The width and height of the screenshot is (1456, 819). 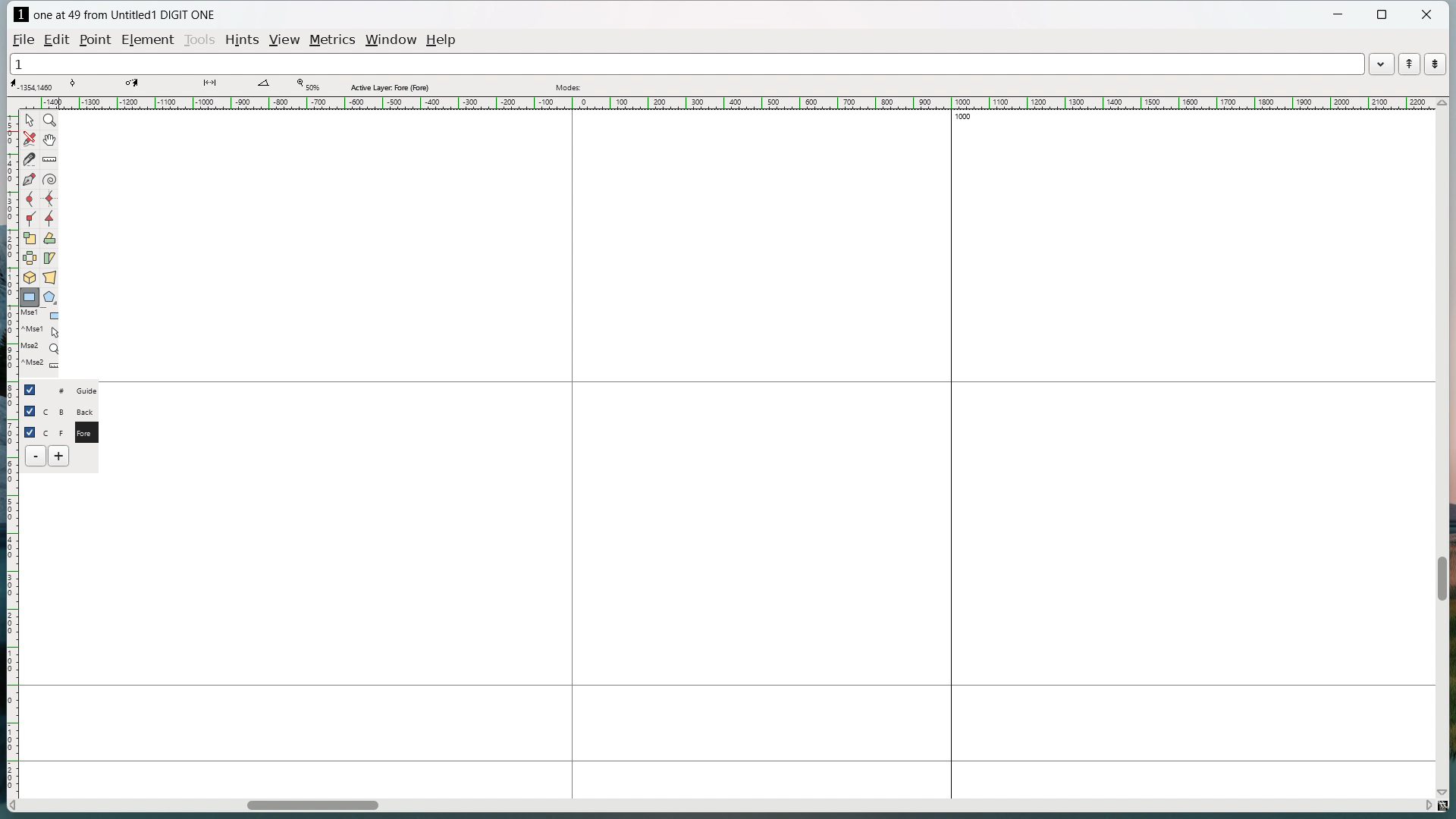 What do you see at coordinates (1436, 64) in the screenshot?
I see `show the next word in the word list` at bounding box center [1436, 64].